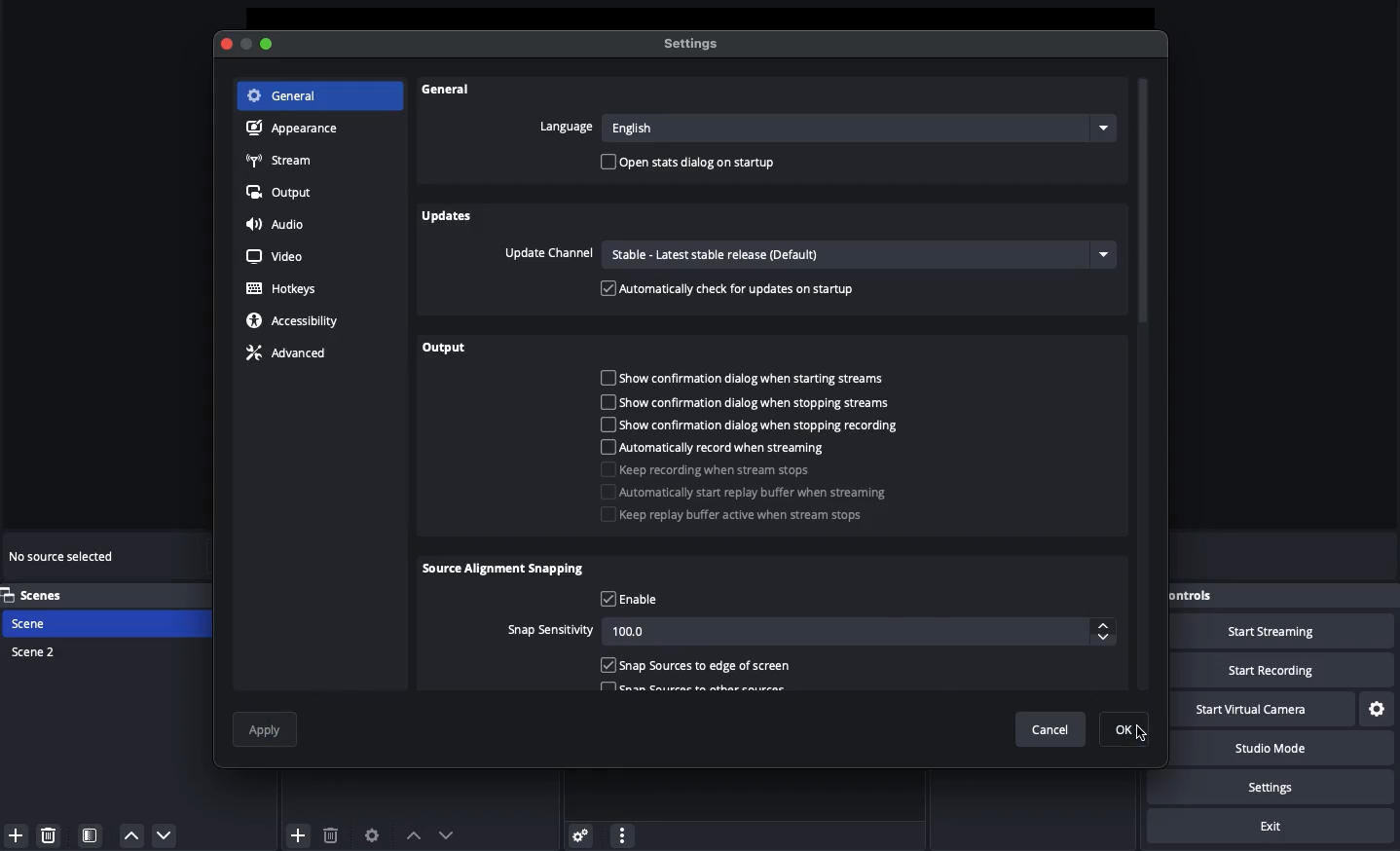 The image size is (1400, 851). I want to click on Scenes, so click(44, 595).